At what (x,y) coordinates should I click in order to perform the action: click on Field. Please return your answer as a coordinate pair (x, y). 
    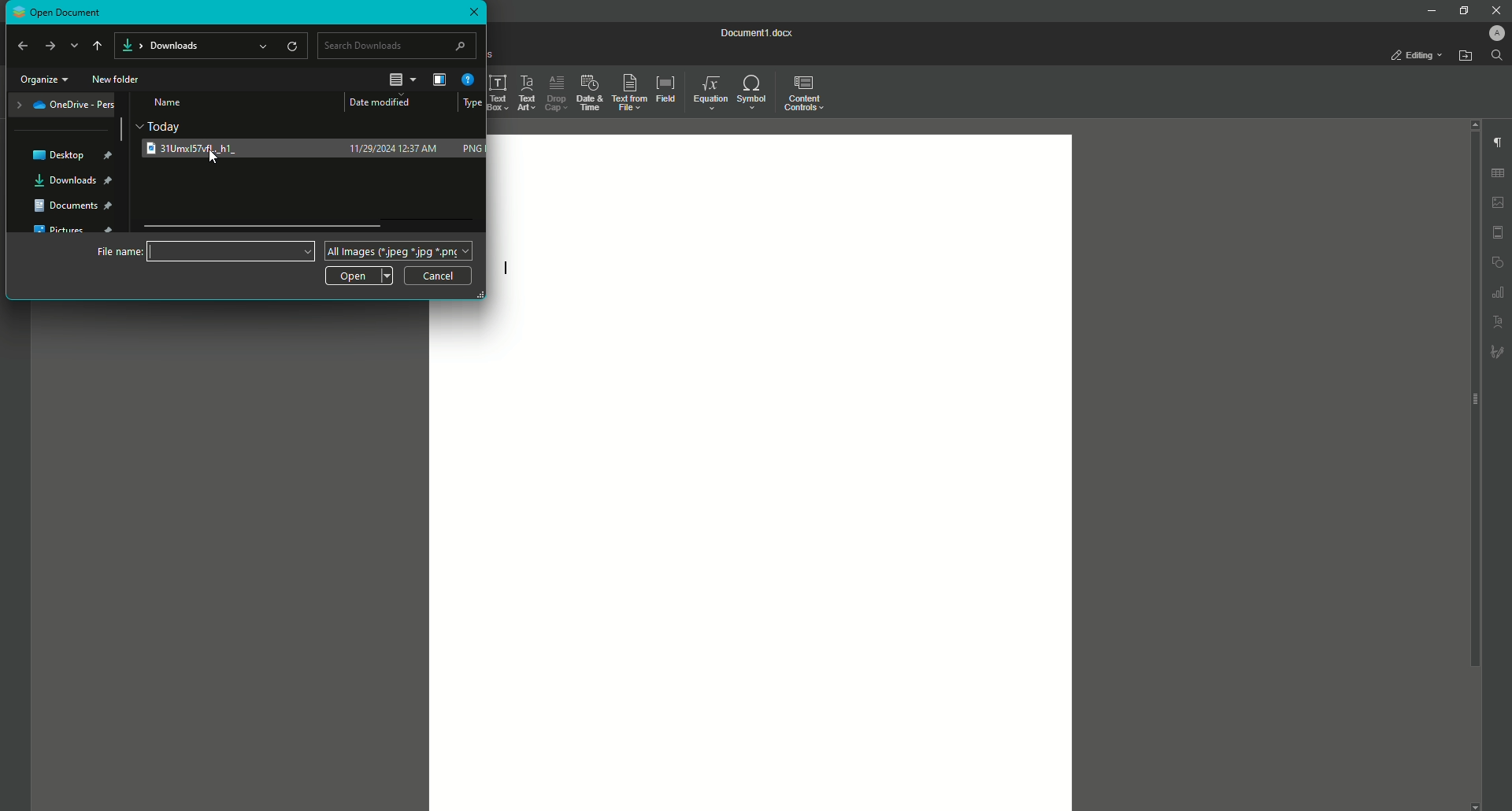
    Looking at the image, I should click on (665, 91).